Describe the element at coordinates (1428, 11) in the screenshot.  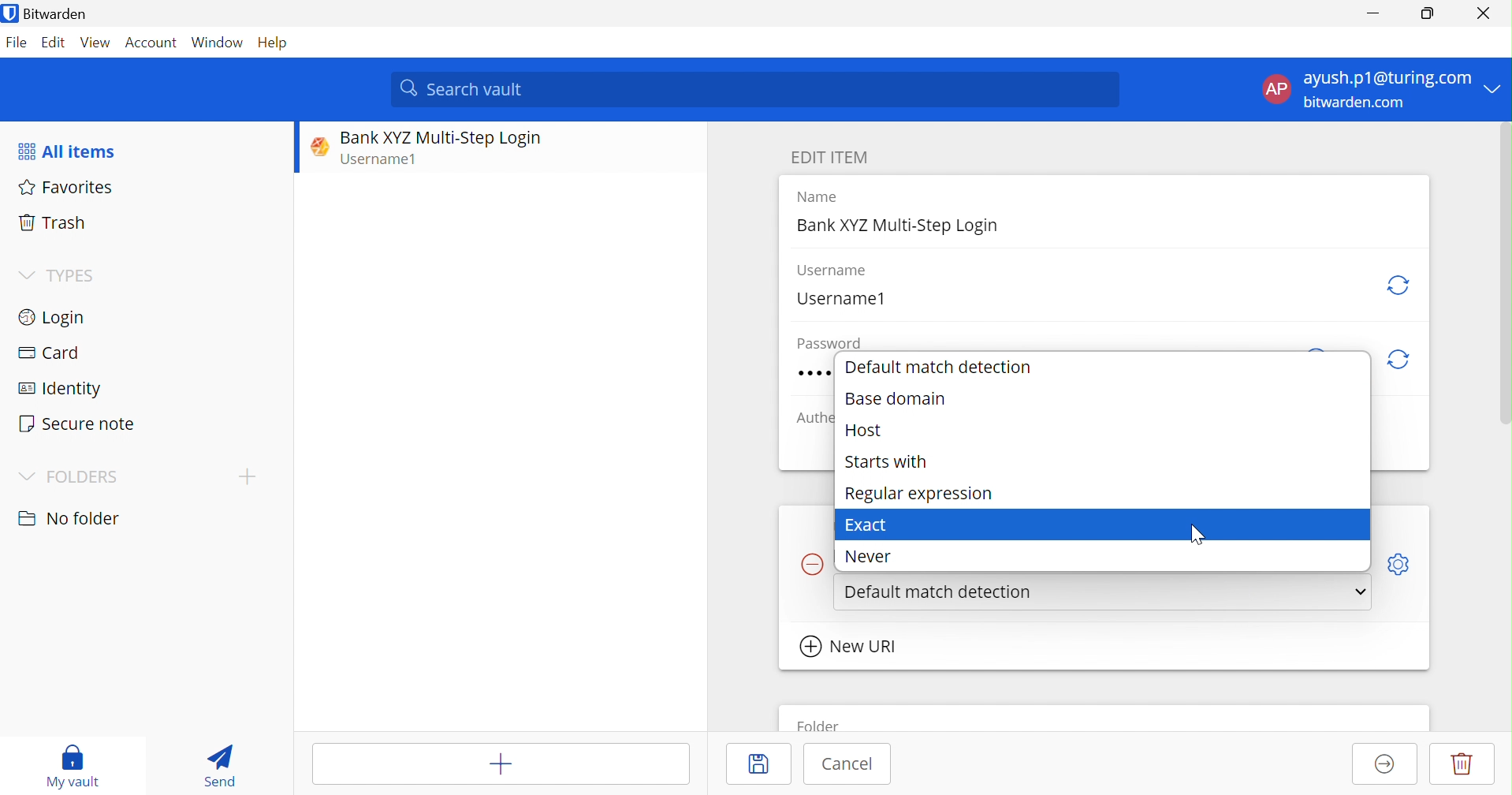
I see `Restore Down` at that location.